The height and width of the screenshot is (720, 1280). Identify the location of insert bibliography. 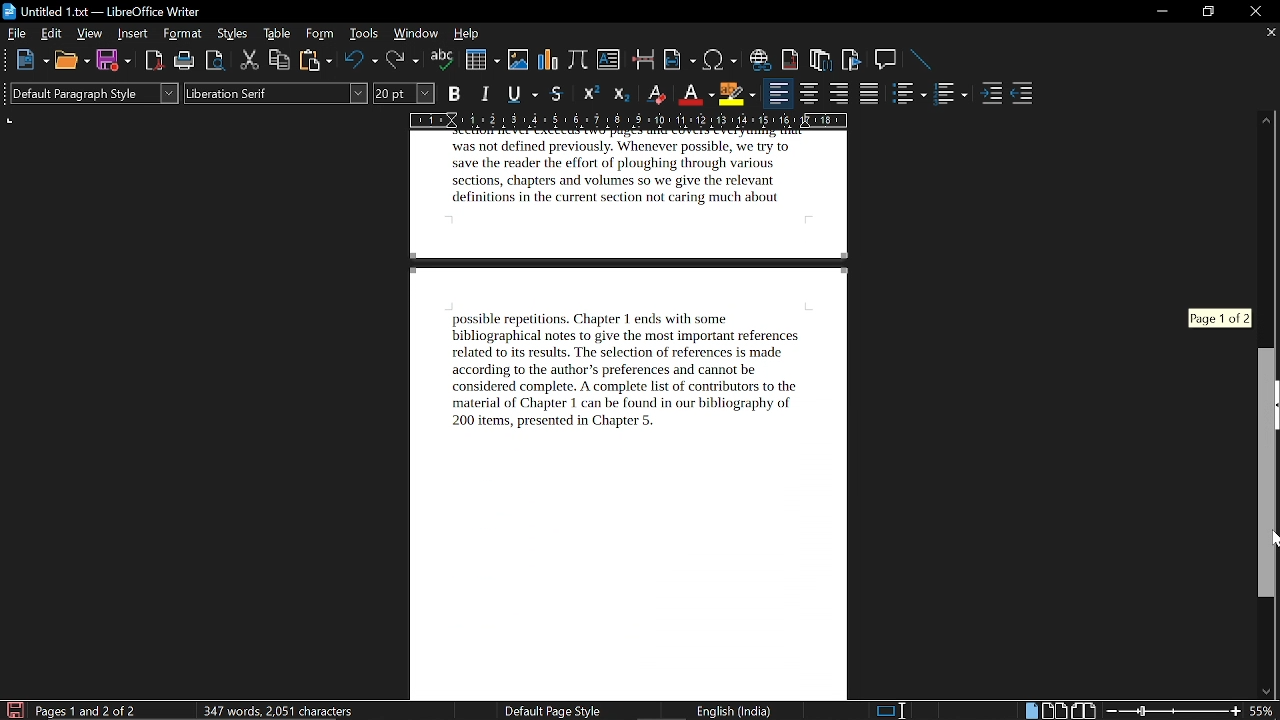
(849, 60).